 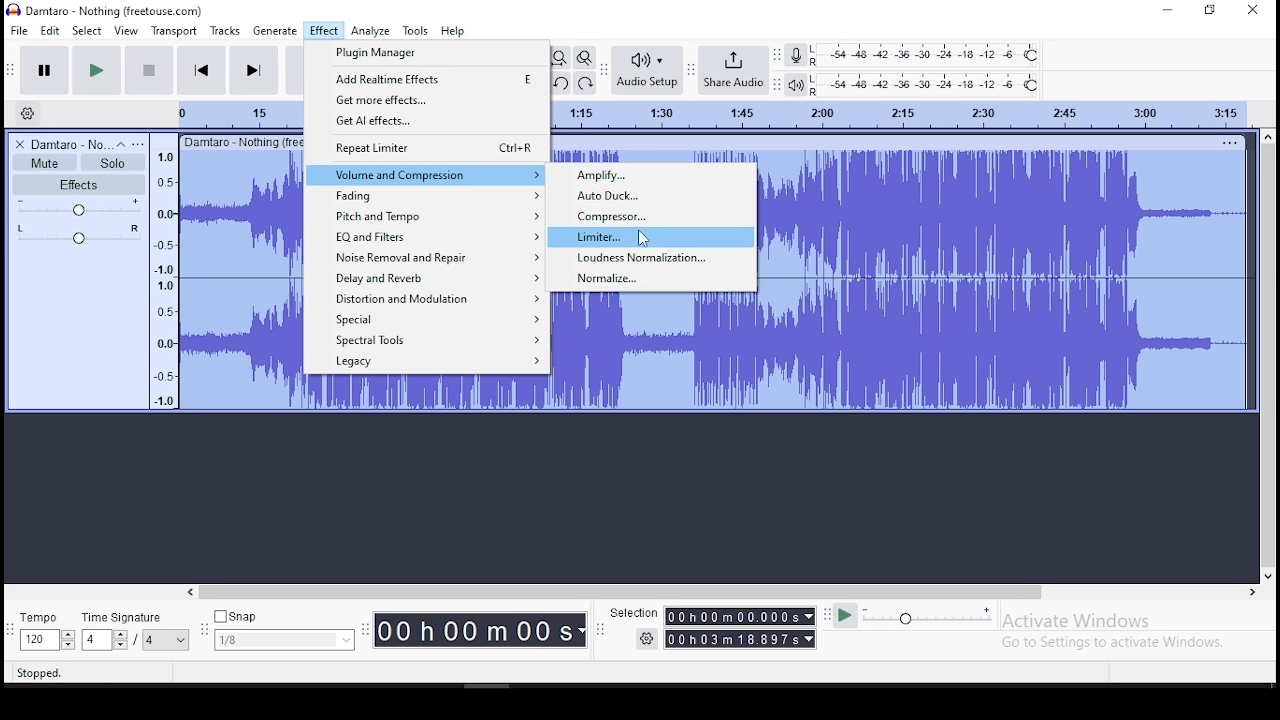 What do you see at coordinates (141, 143) in the screenshot?
I see `open menu` at bounding box center [141, 143].